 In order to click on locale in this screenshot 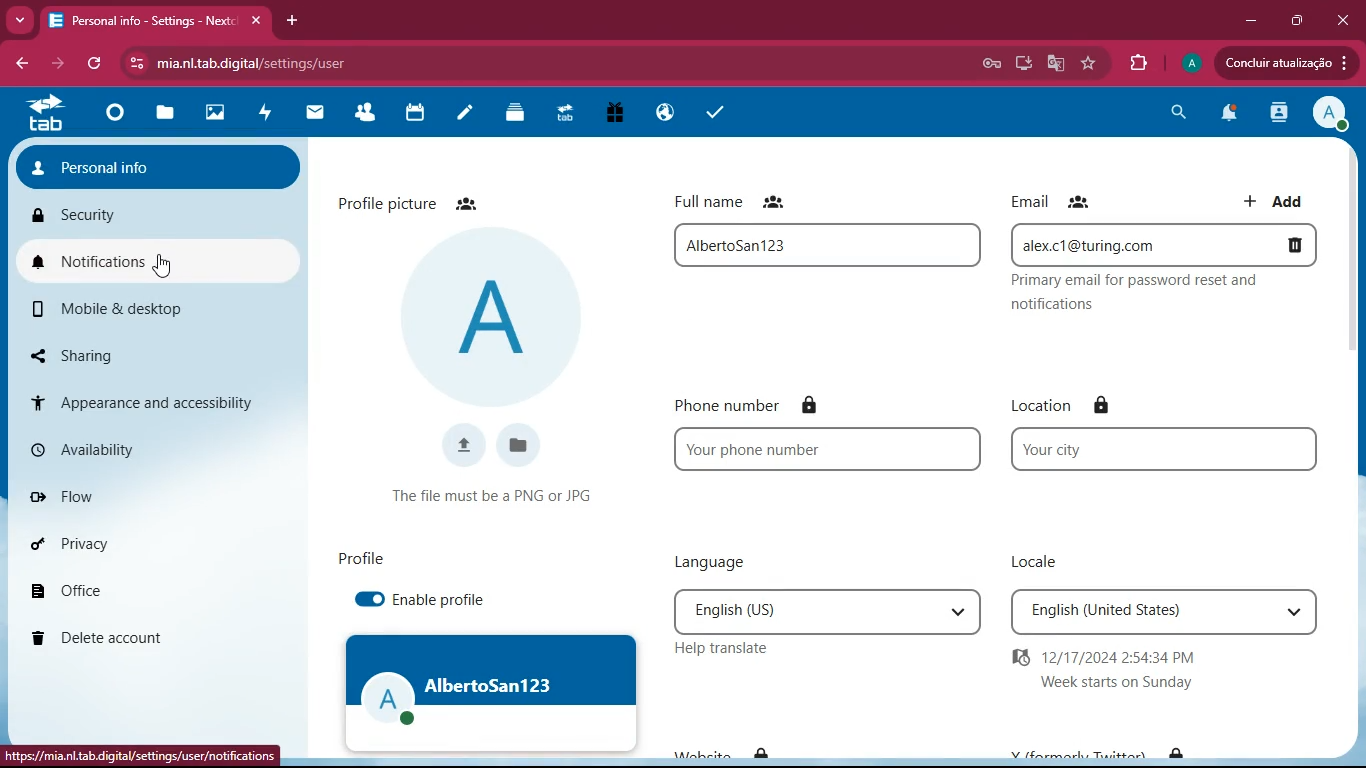, I will do `click(1031, 559)`.